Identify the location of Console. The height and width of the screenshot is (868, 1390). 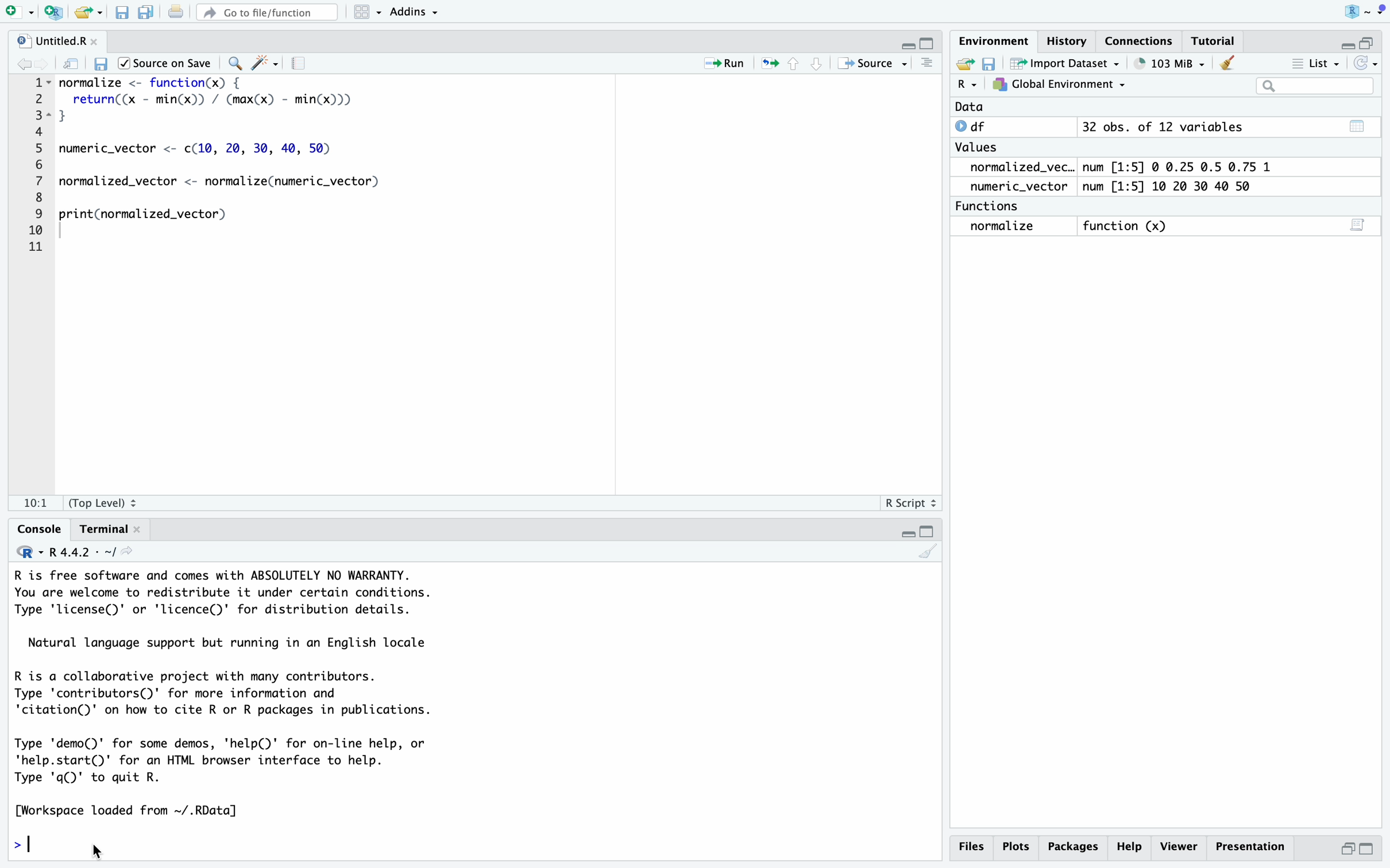
(37, 530).